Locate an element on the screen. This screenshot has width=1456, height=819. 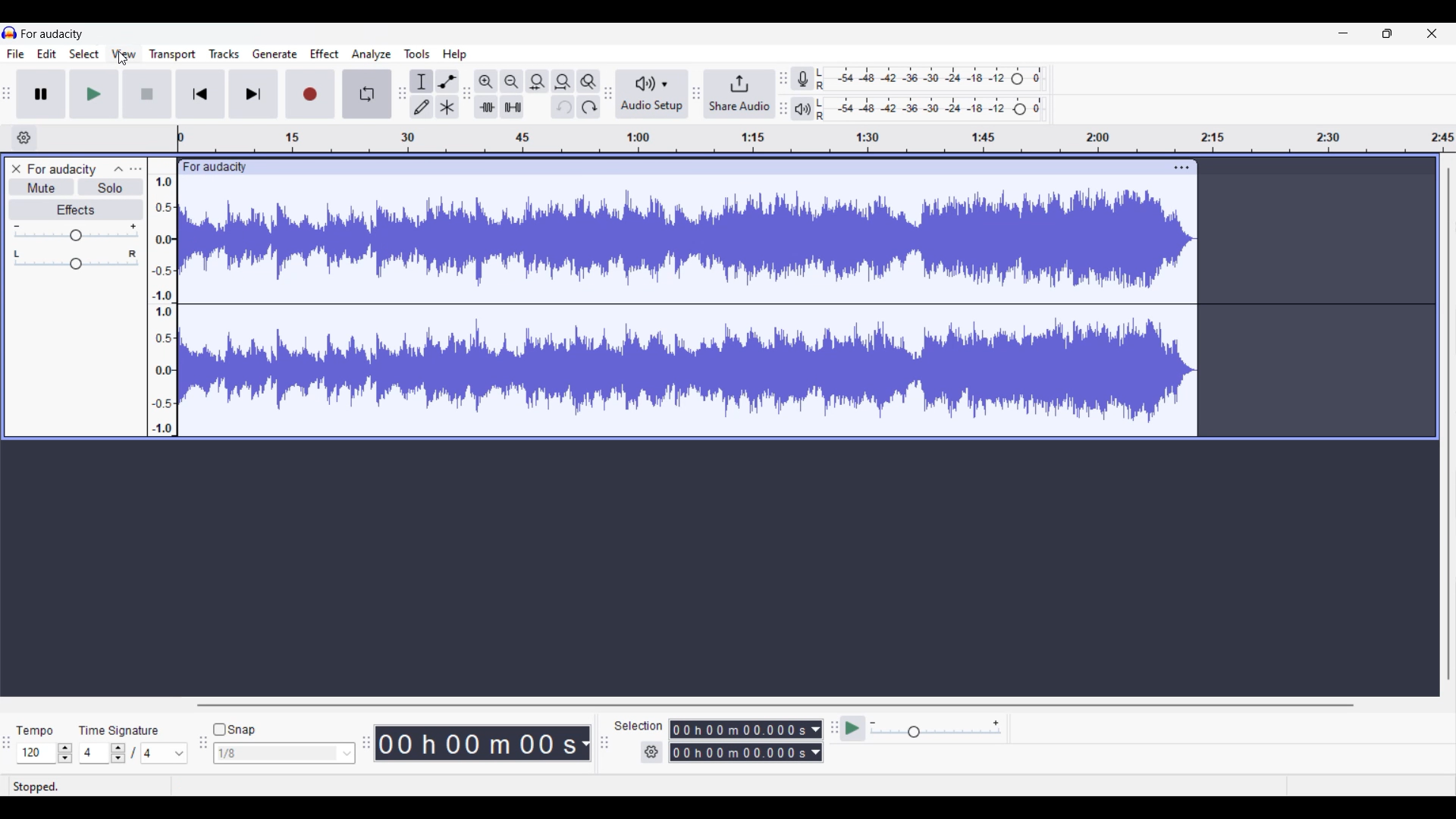
Multi tool is located at coordinates (446, 107).